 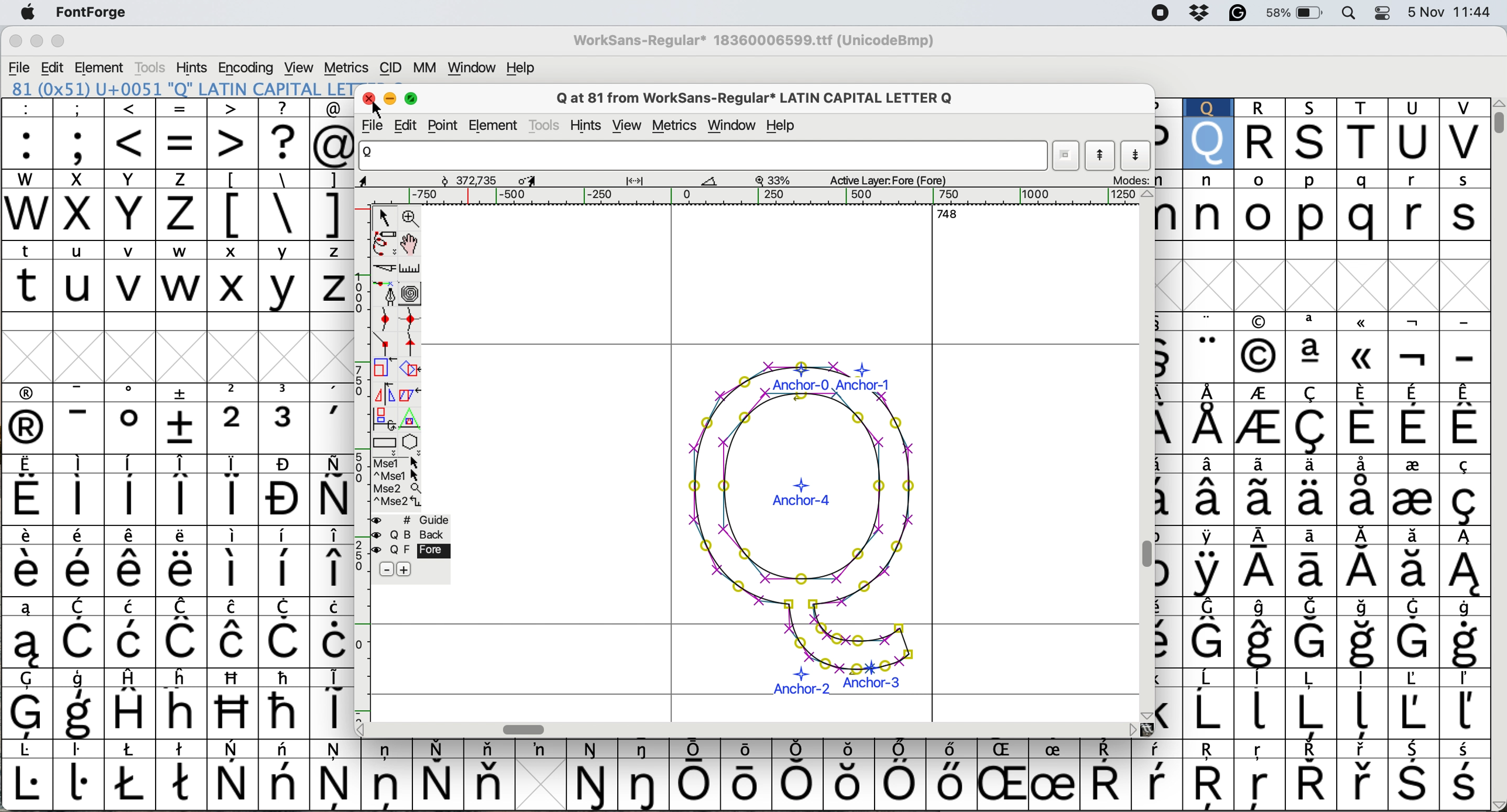 What do you see at coordinates (194, 68) in the screenshot?
I see `hints` at bounding box center [194, 68].